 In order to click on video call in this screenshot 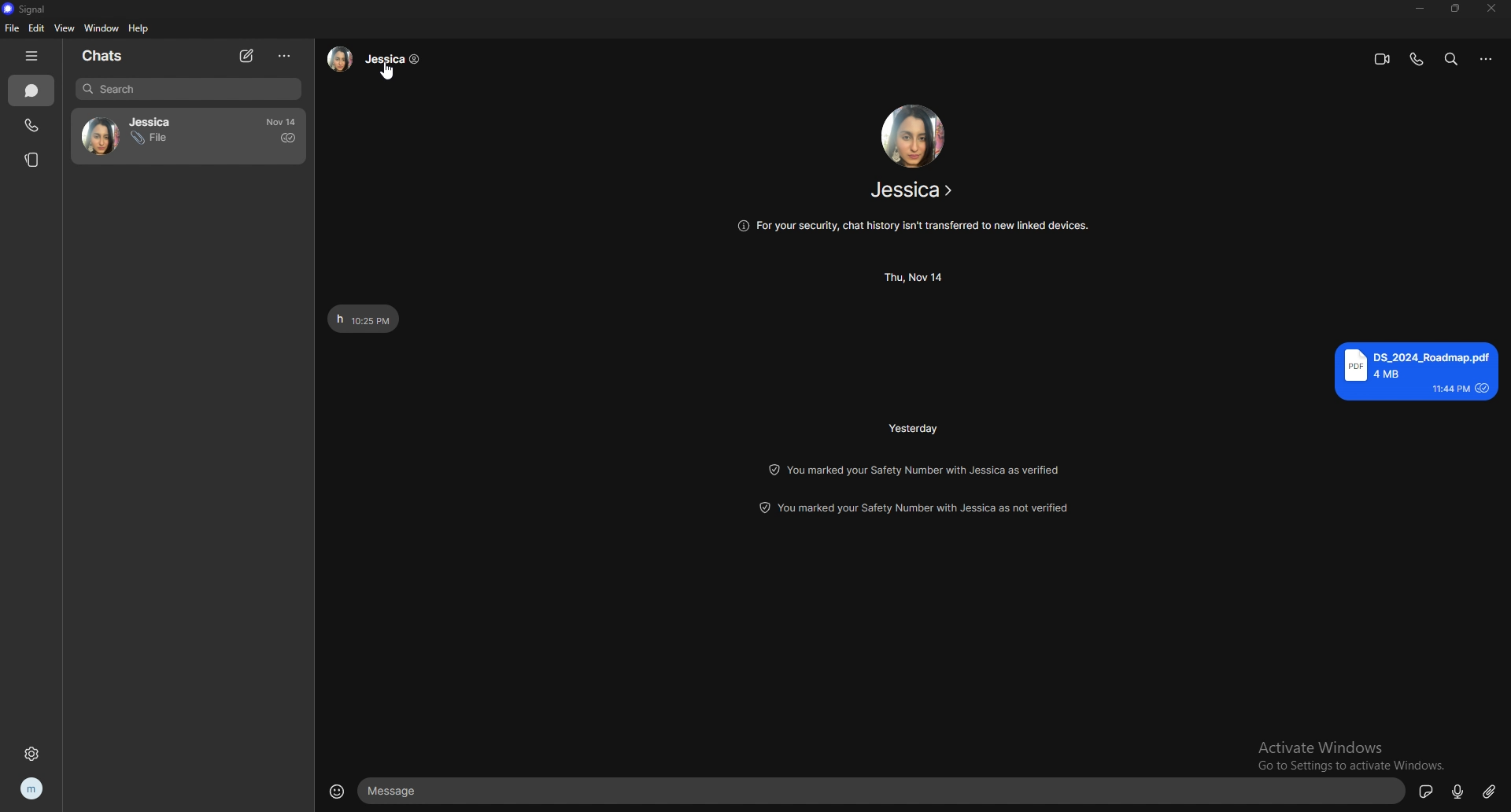, I will do `click(1381, 59)`.